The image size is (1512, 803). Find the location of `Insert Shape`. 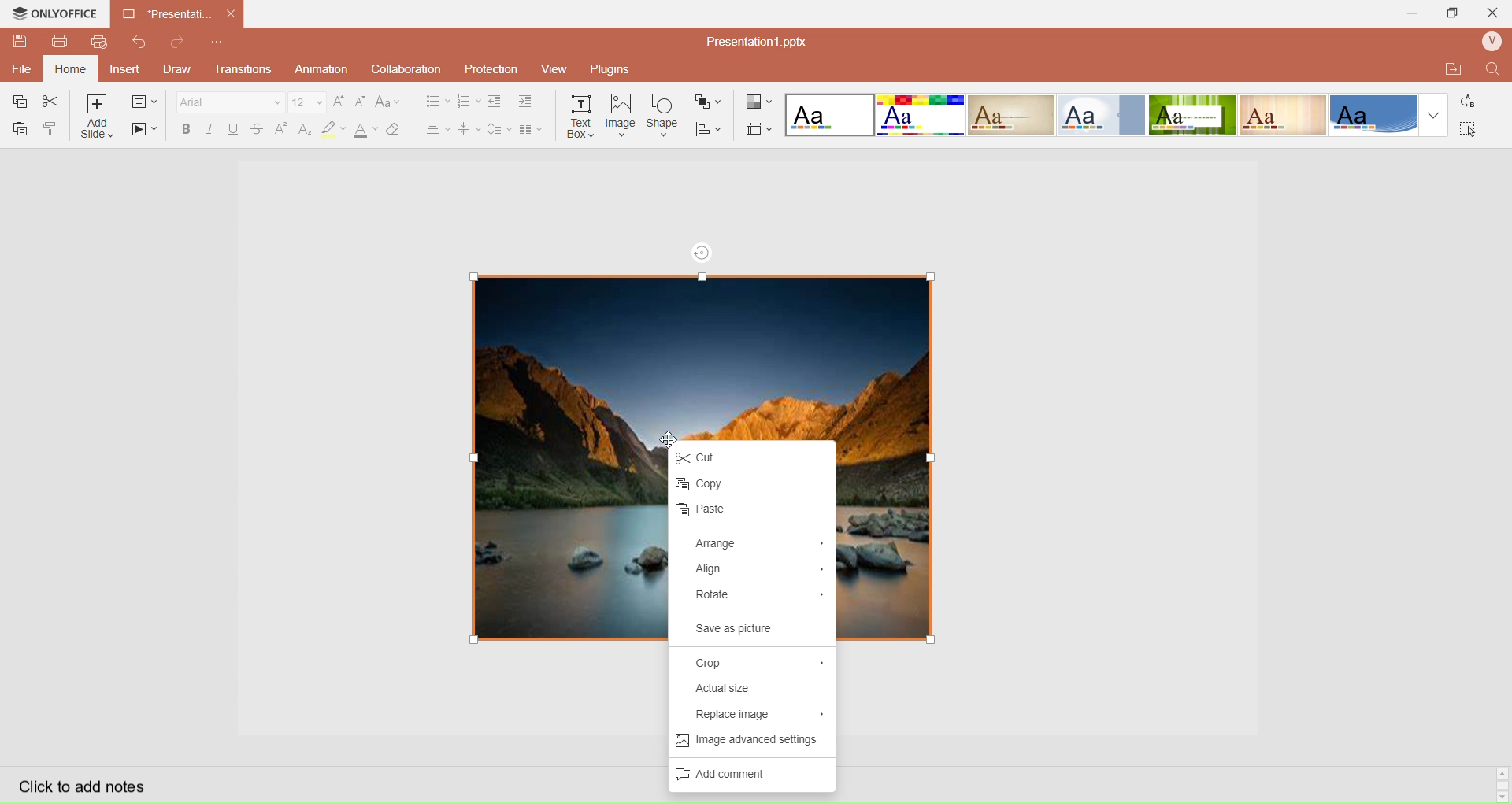

Insert Shape is located at coordinates (663, 116).